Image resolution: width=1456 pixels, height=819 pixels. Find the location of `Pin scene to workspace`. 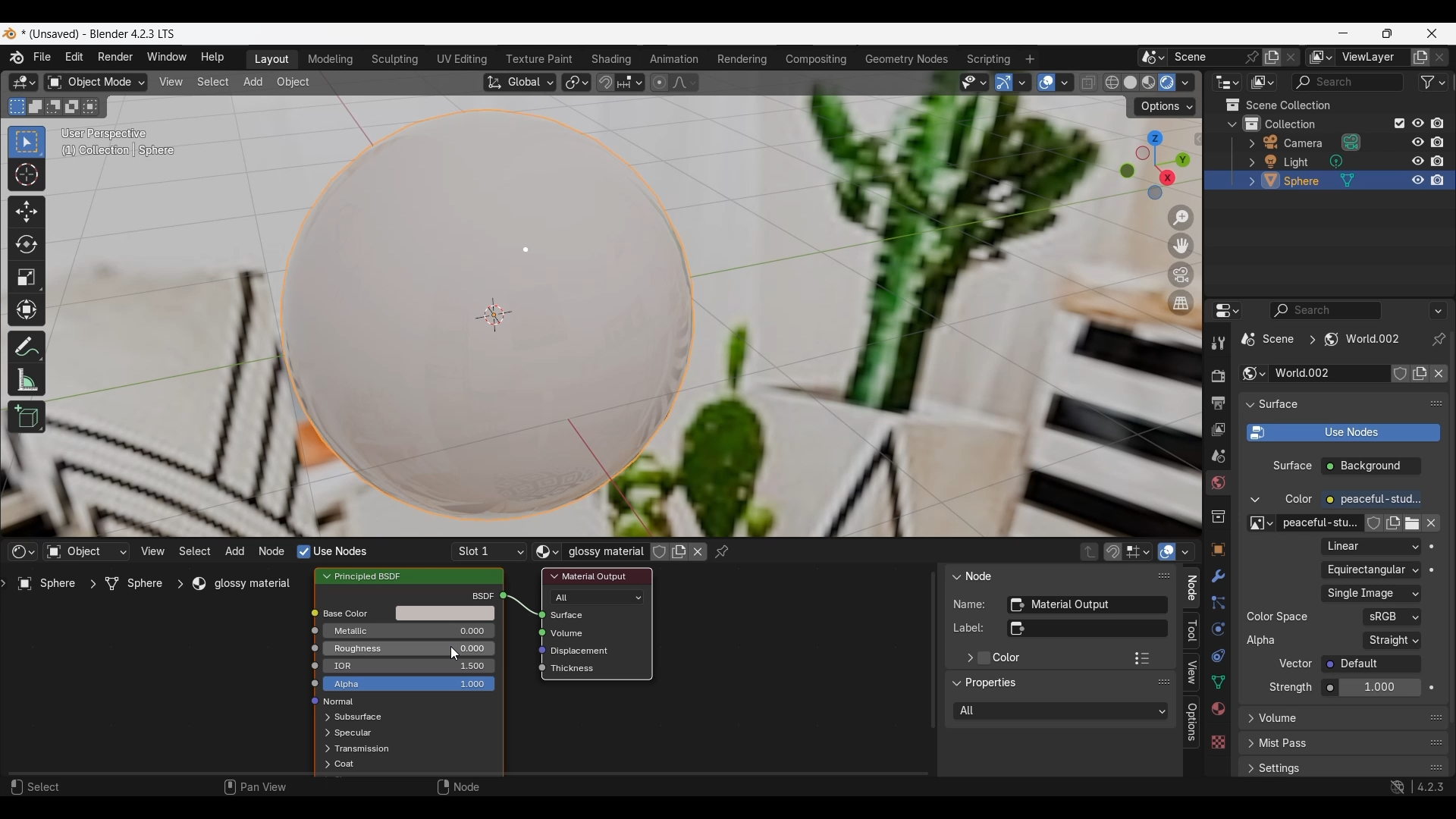

Pin scene to workspace is located at coordinates (1251, 58).